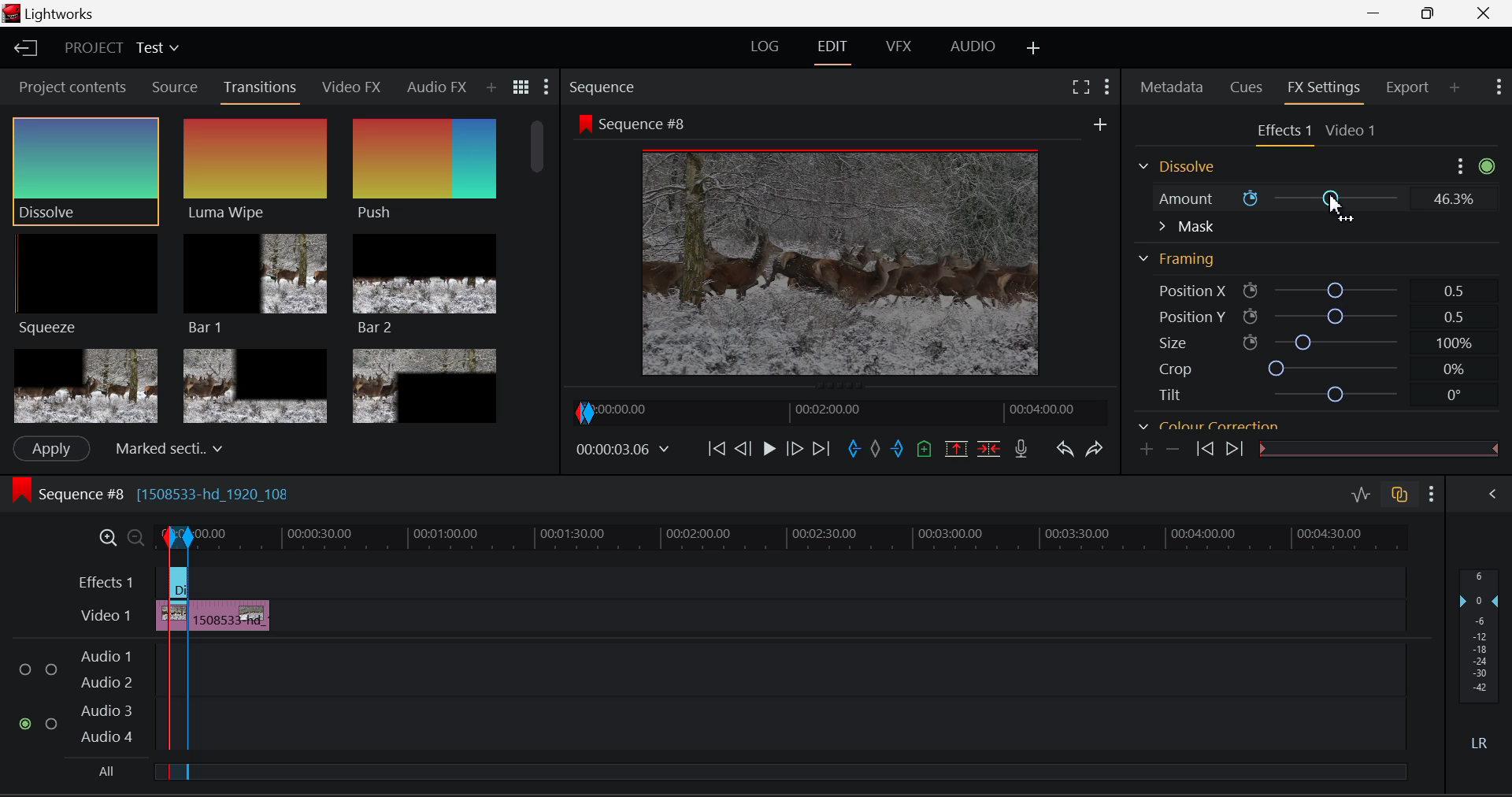  I want to click on Cues, so click(1244, 88).